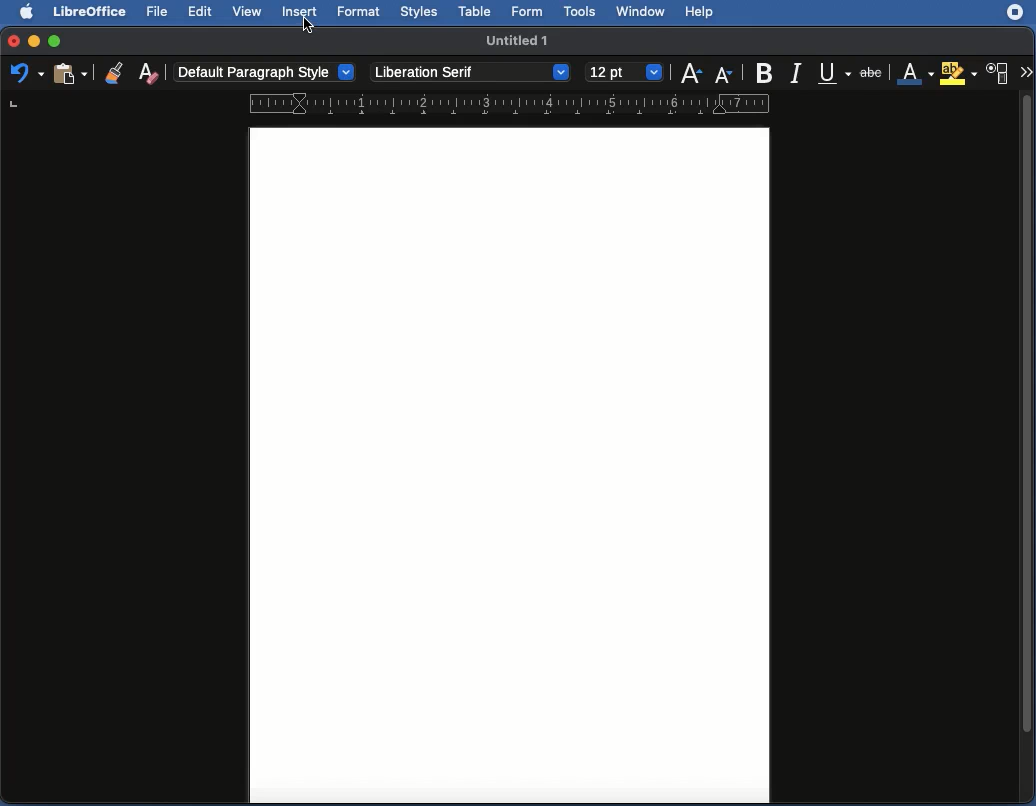 Image resolution: width=1036 pixels, height=806 pixels. Describe the element at coordinates (530, 13) in the screenshot. I see `Form` at that location.